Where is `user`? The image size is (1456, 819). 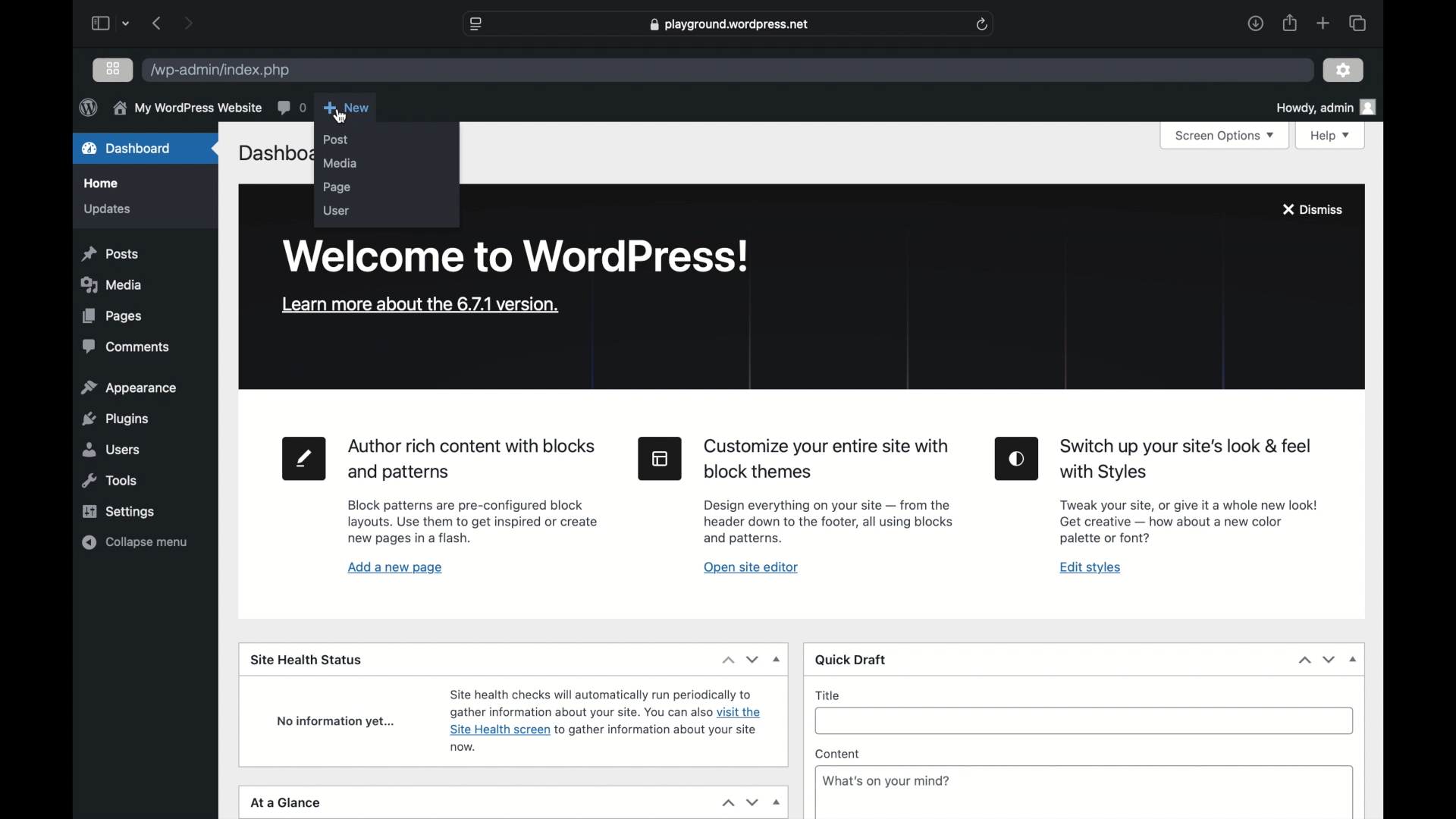
user is located at coordinates (336, 211).